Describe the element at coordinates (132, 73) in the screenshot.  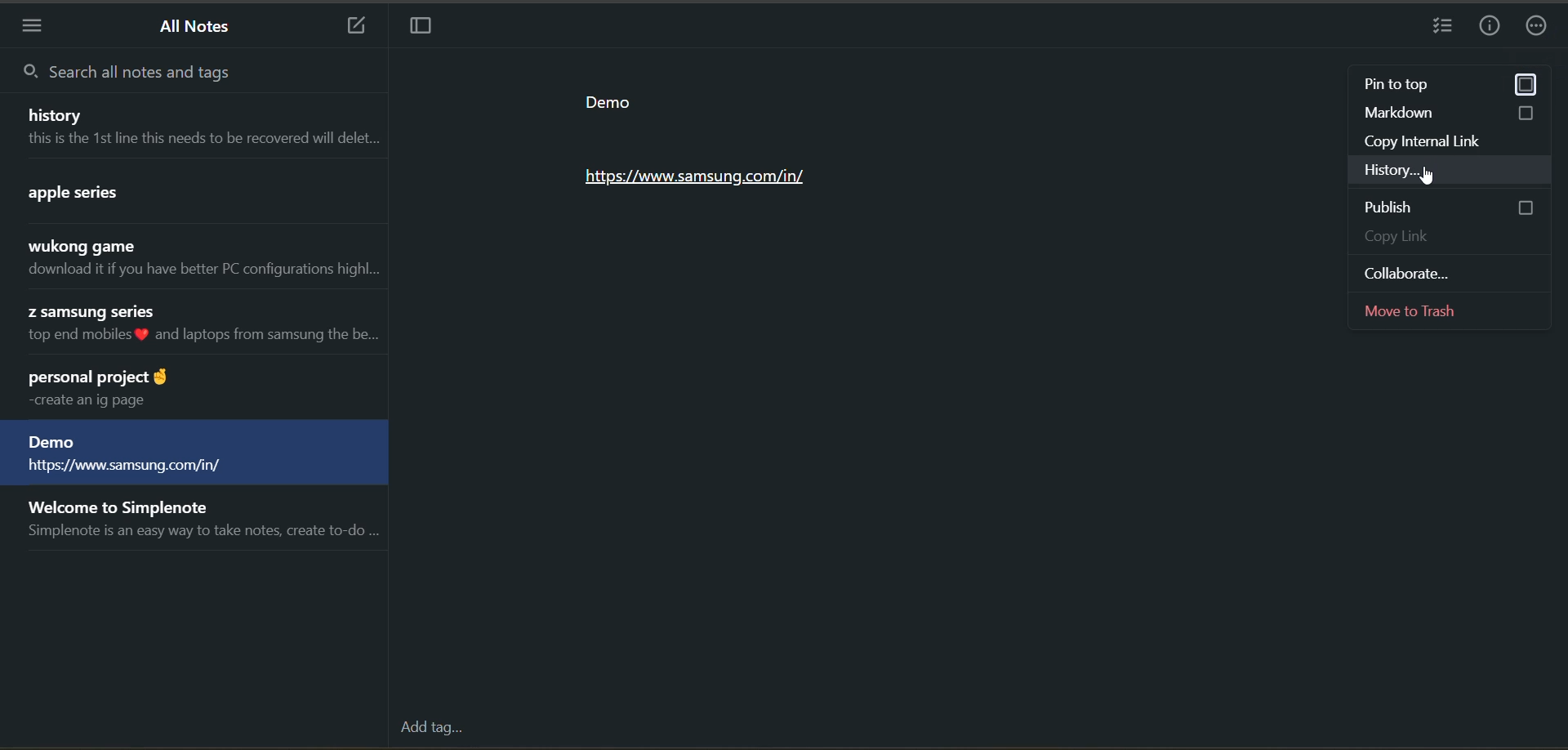
I see `search all notes and tags` at that location.